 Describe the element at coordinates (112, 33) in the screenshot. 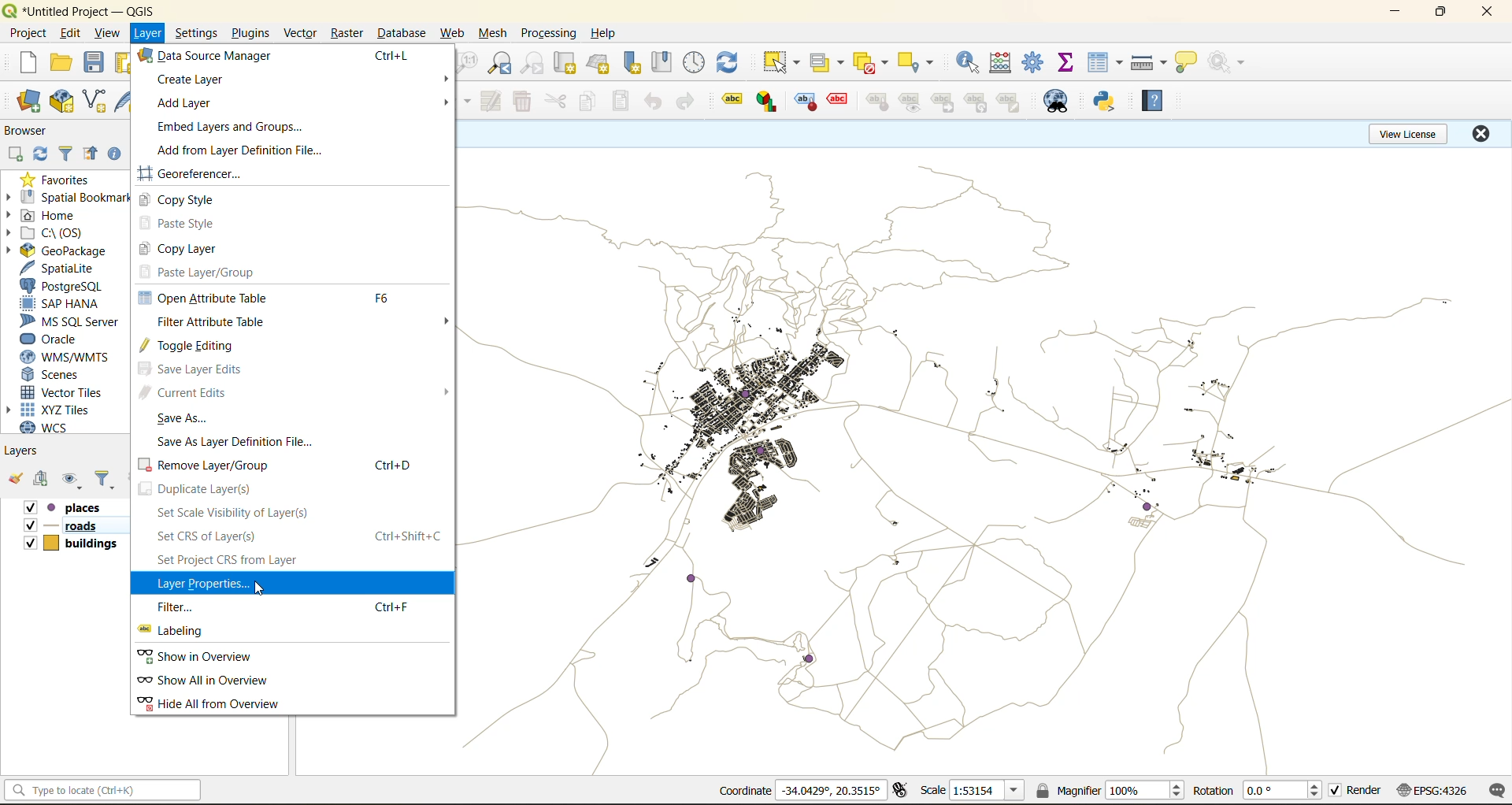

I see `view` at that location.